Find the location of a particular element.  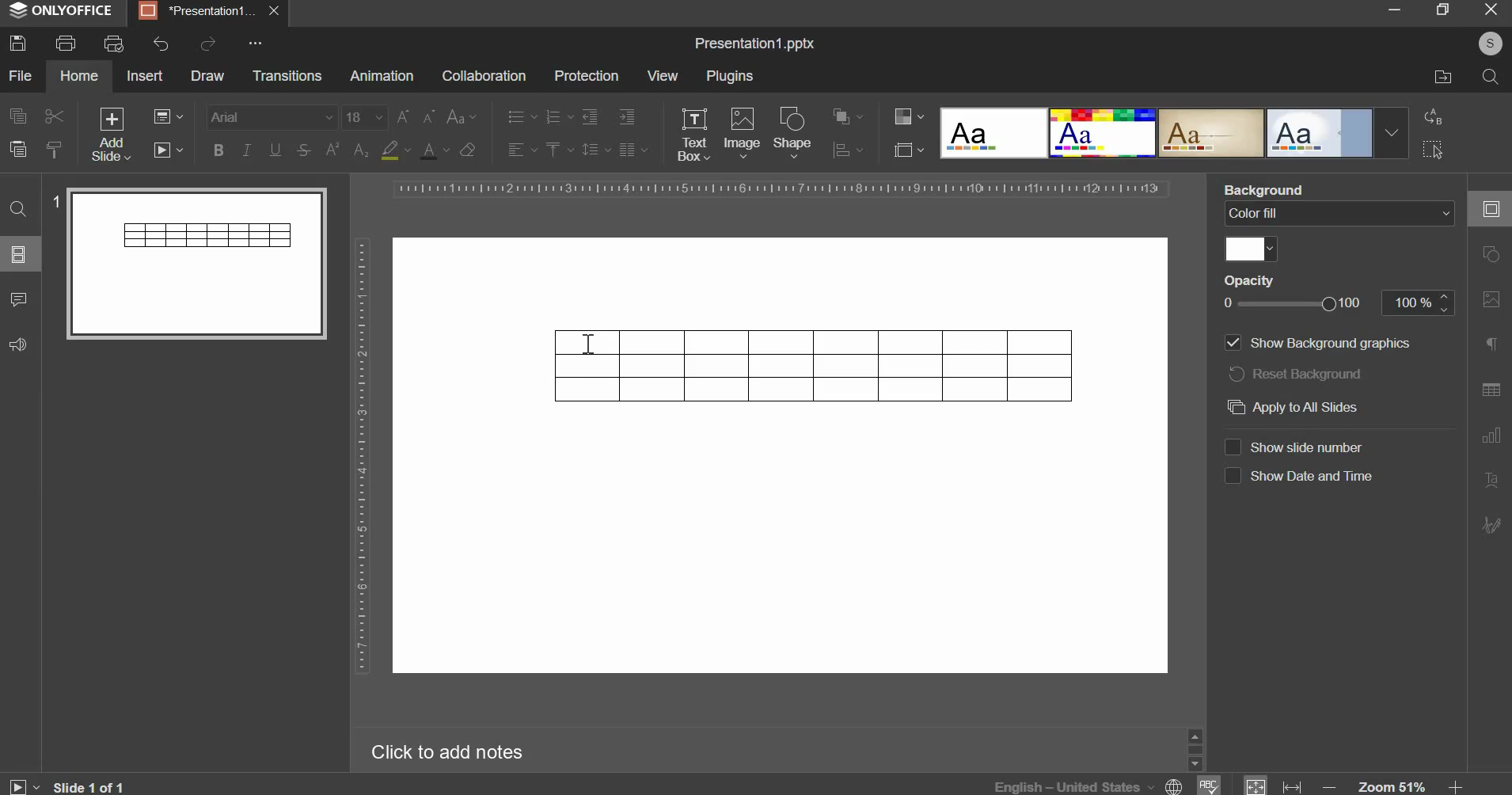

image is located at coordinates (742, 131).